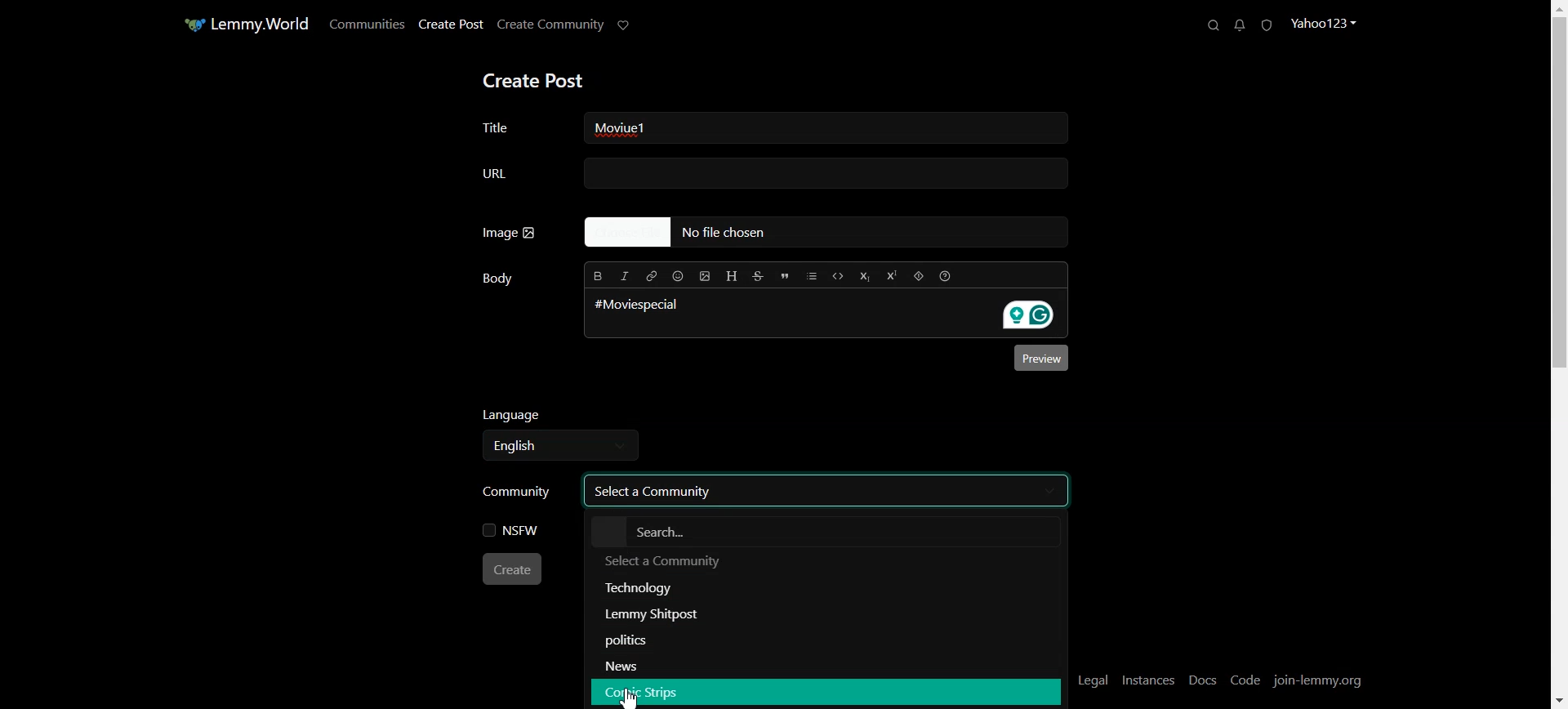 The width and height of the screenshot is (1568, 709). Describe the element at coordinates (822, 492) in the screenshot. I see `Select a community` at that location.